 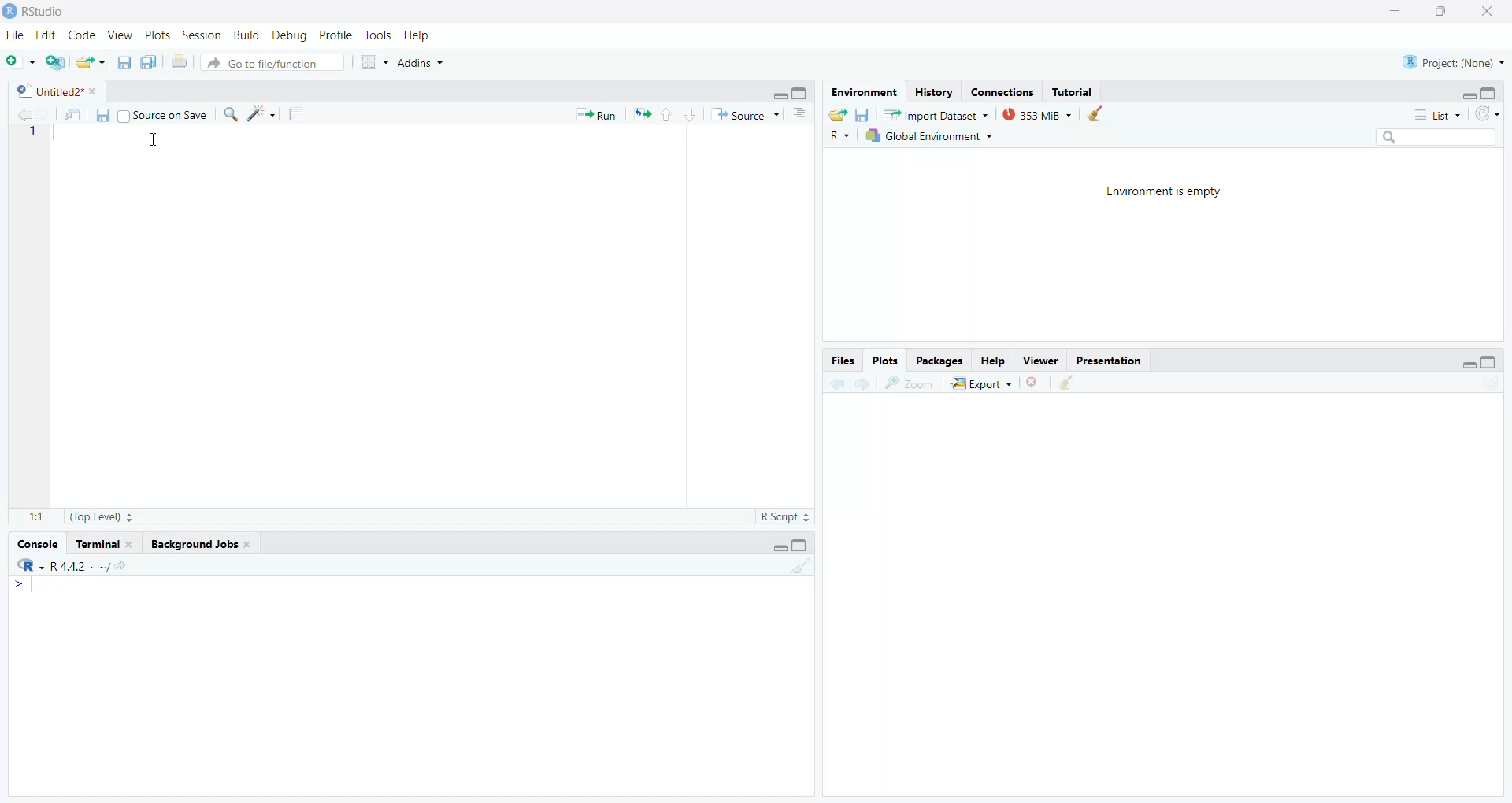 What do you see at coordinates (76, 568) in the screenshot?
I see `‘R-R442. ~/` at bounding box center [76, 568].